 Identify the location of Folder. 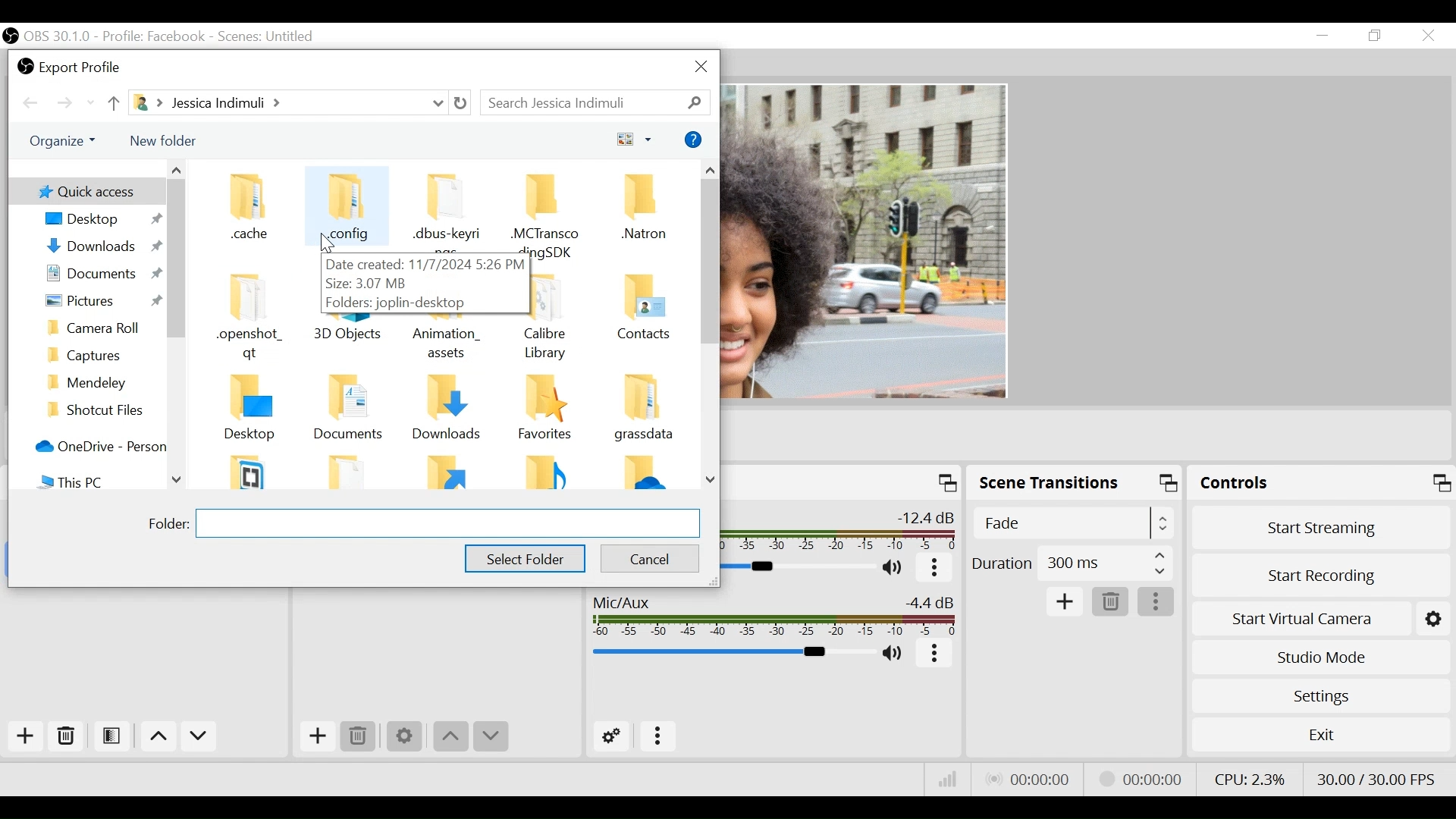
(545, 412).